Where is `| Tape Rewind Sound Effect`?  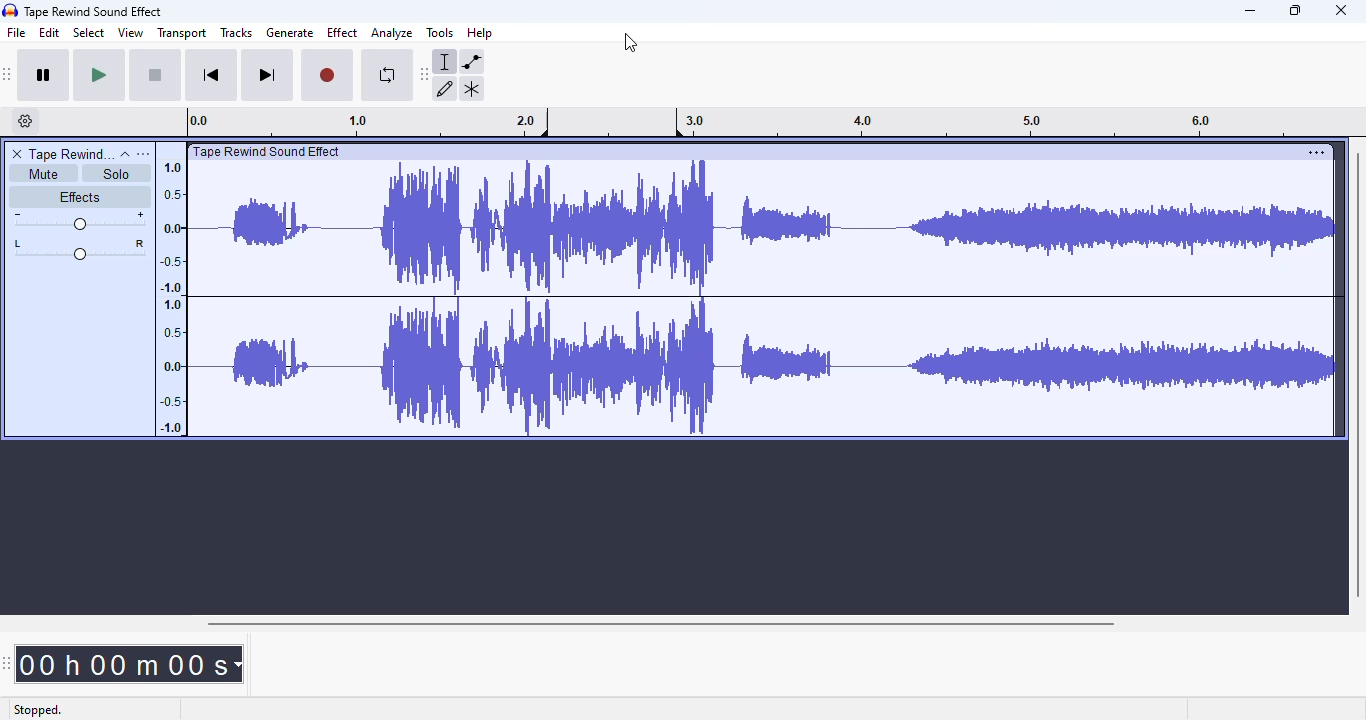
| Tape Rewind Sound Effect is located at coordinates (266, 152).